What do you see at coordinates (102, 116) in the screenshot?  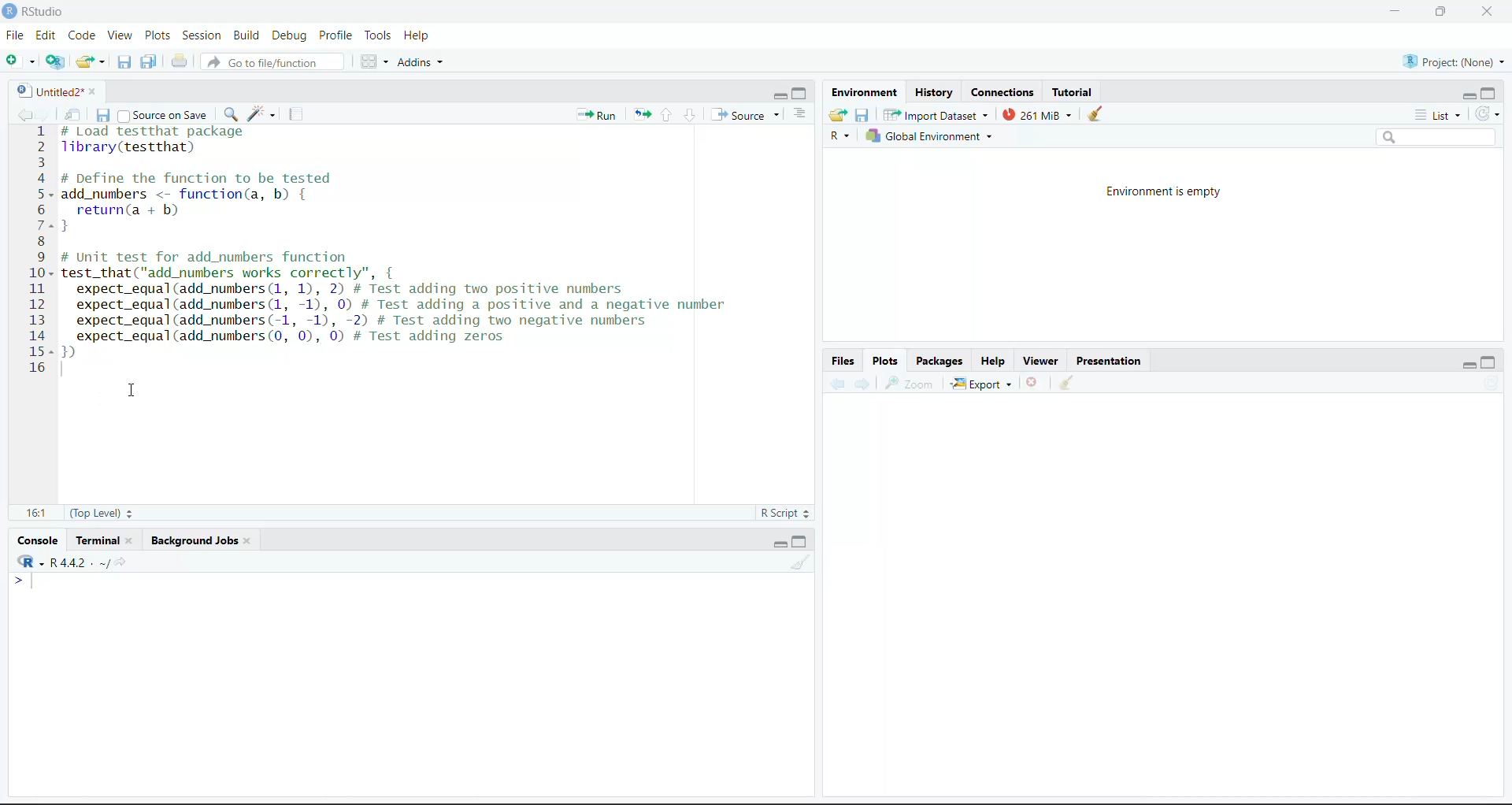 I see `Save` at bounding box center [102, 116].